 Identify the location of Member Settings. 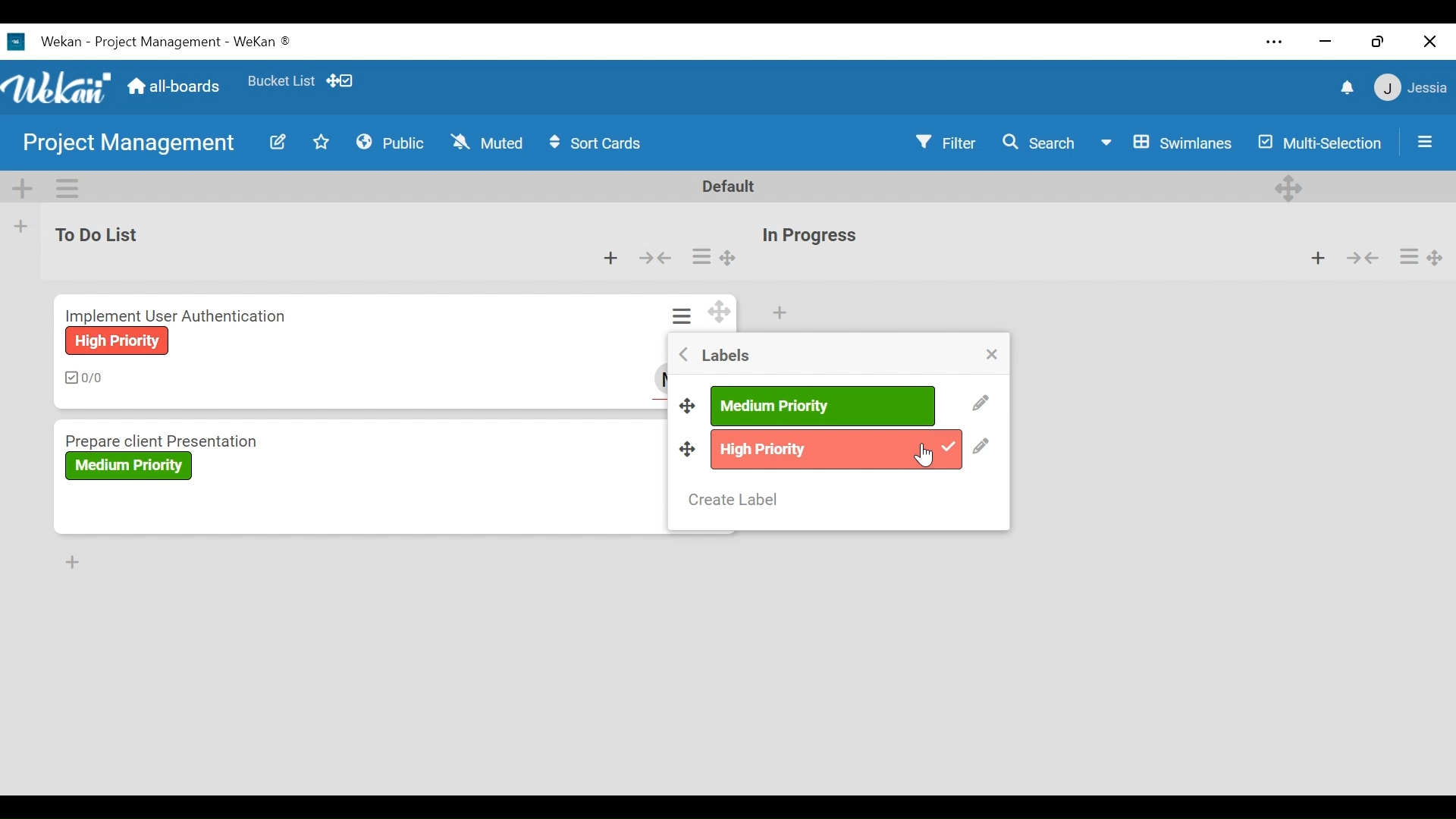
(1411, 87).